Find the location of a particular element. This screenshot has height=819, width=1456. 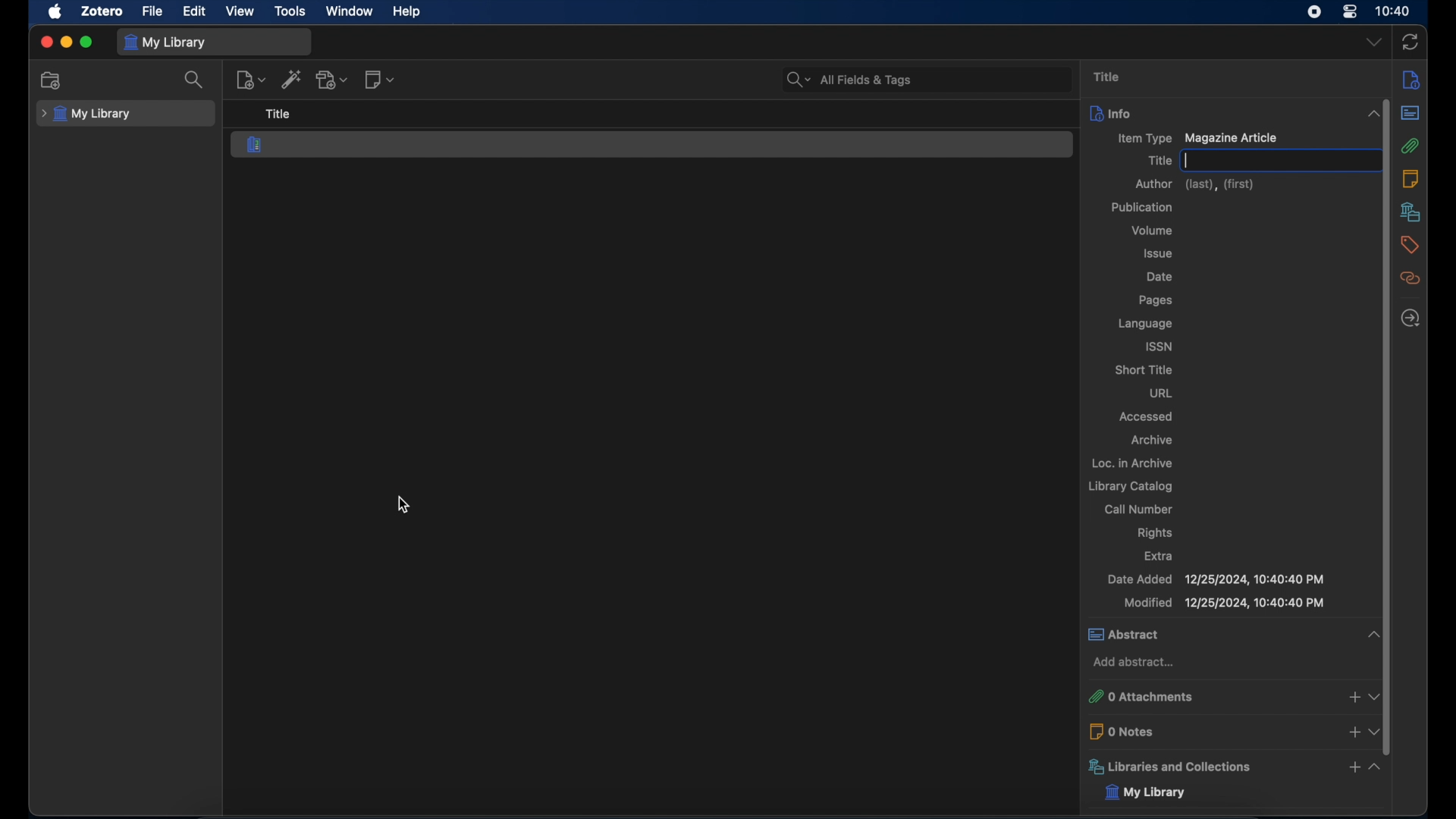

rights is located at coordinates (1156, 534).